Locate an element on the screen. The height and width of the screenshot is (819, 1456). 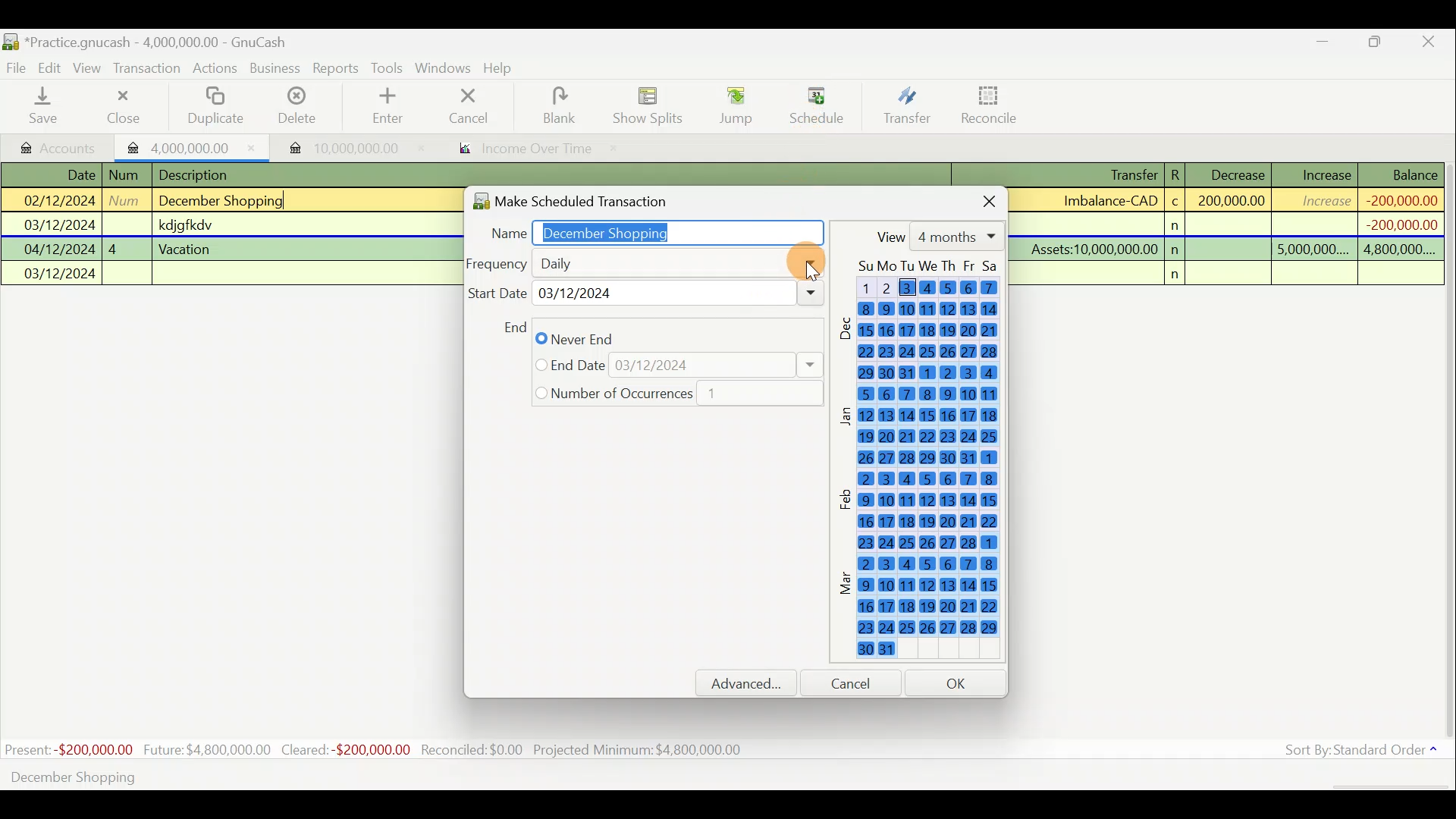
Accounts is located at coordinates (60, 146).